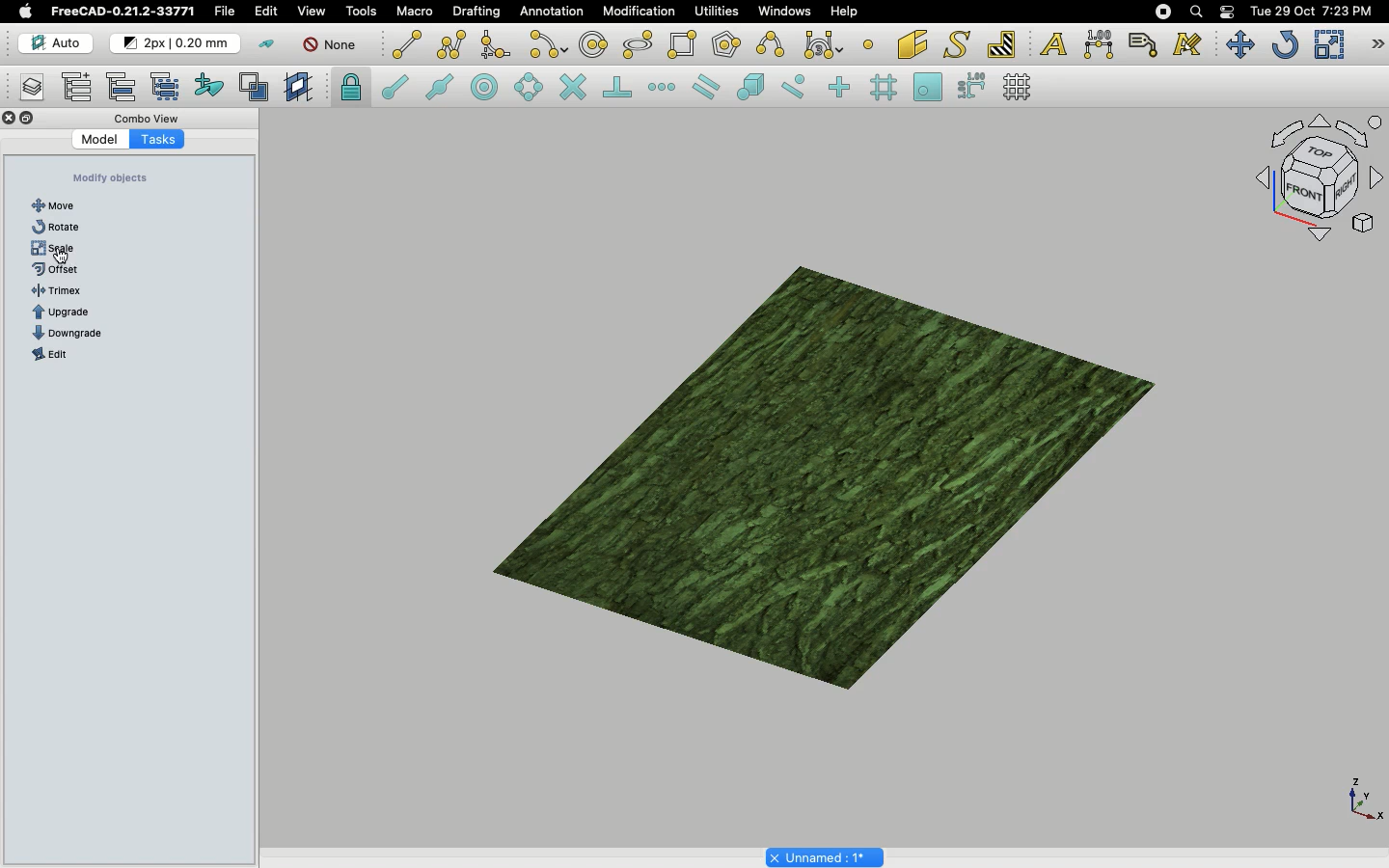  What do you see at coordinates (662, 88) in the screenshot?
I see `Snap extension` at bounding box center [662, 88].